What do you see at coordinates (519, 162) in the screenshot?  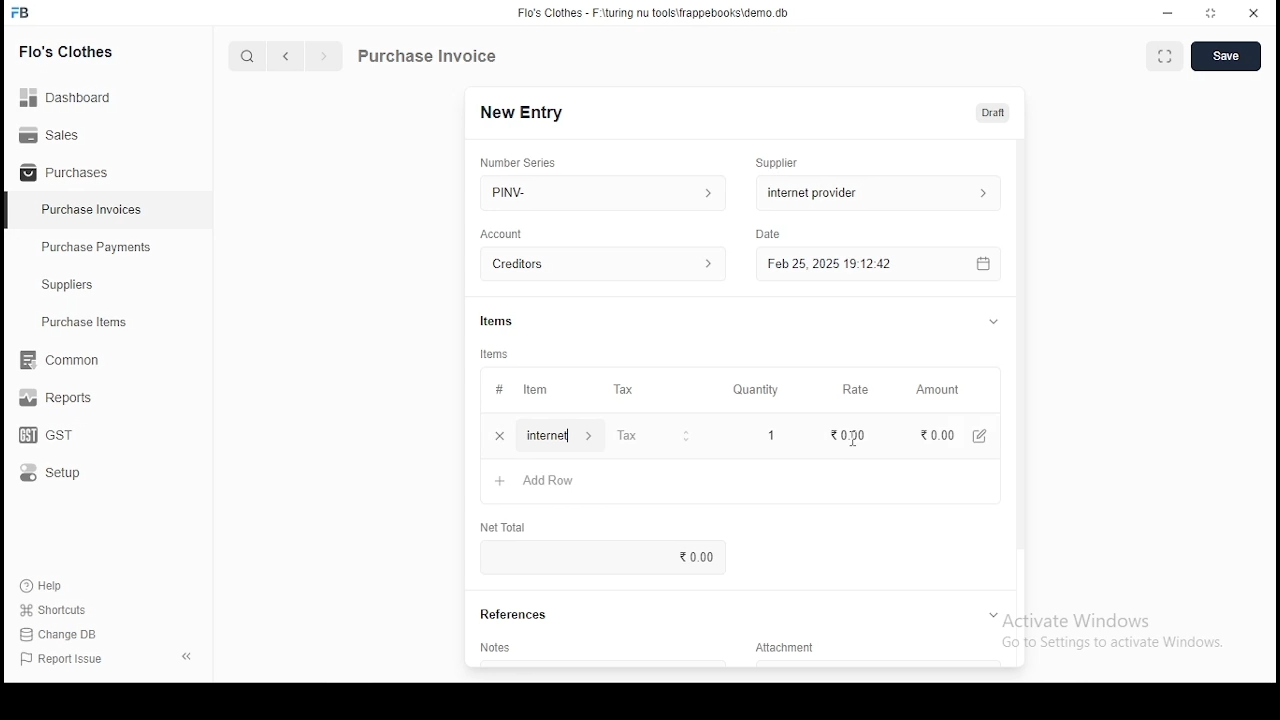 I see `number series` at bounding box center [519, 162].